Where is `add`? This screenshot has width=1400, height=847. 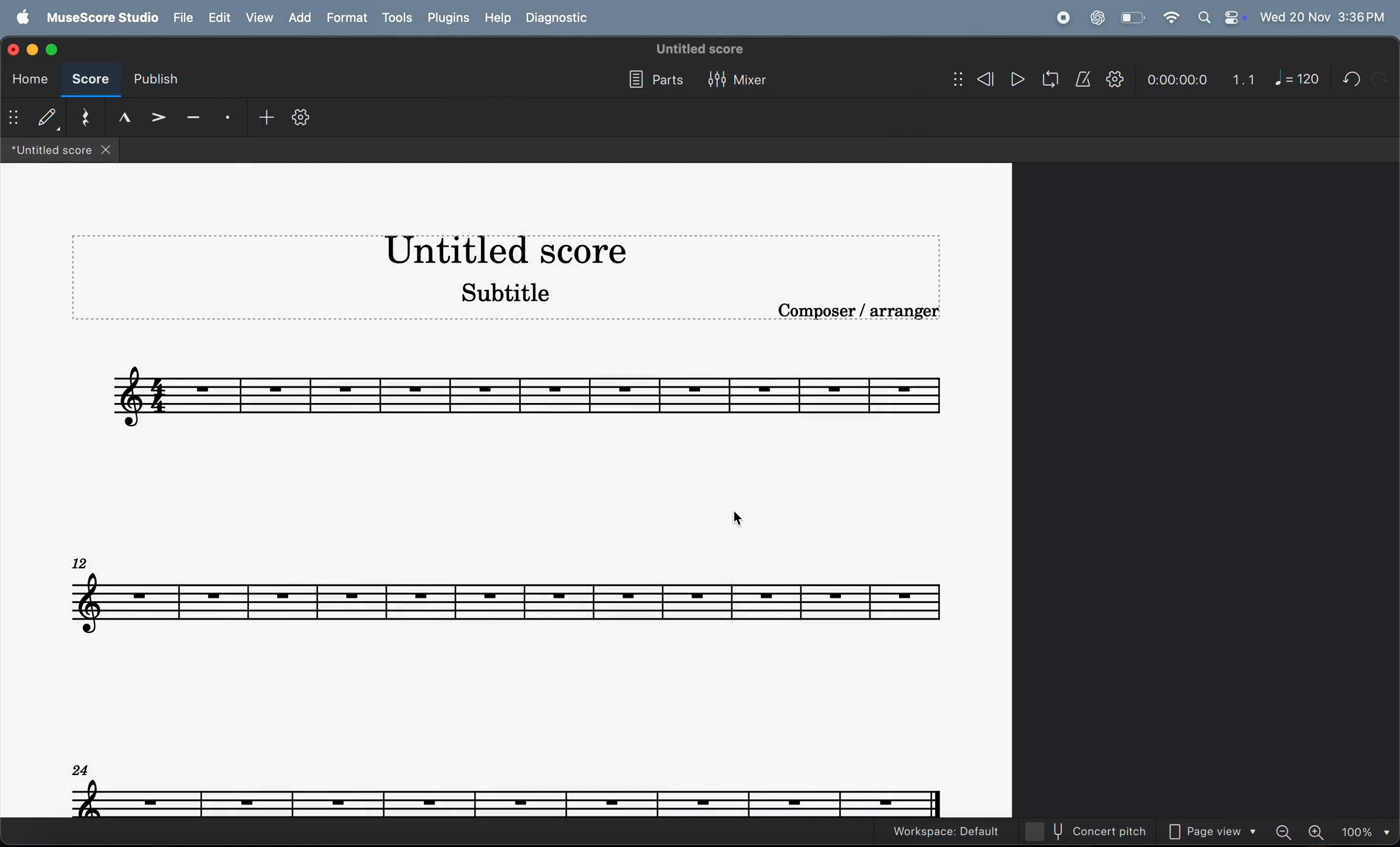 add is located at coordinates (304, 18).